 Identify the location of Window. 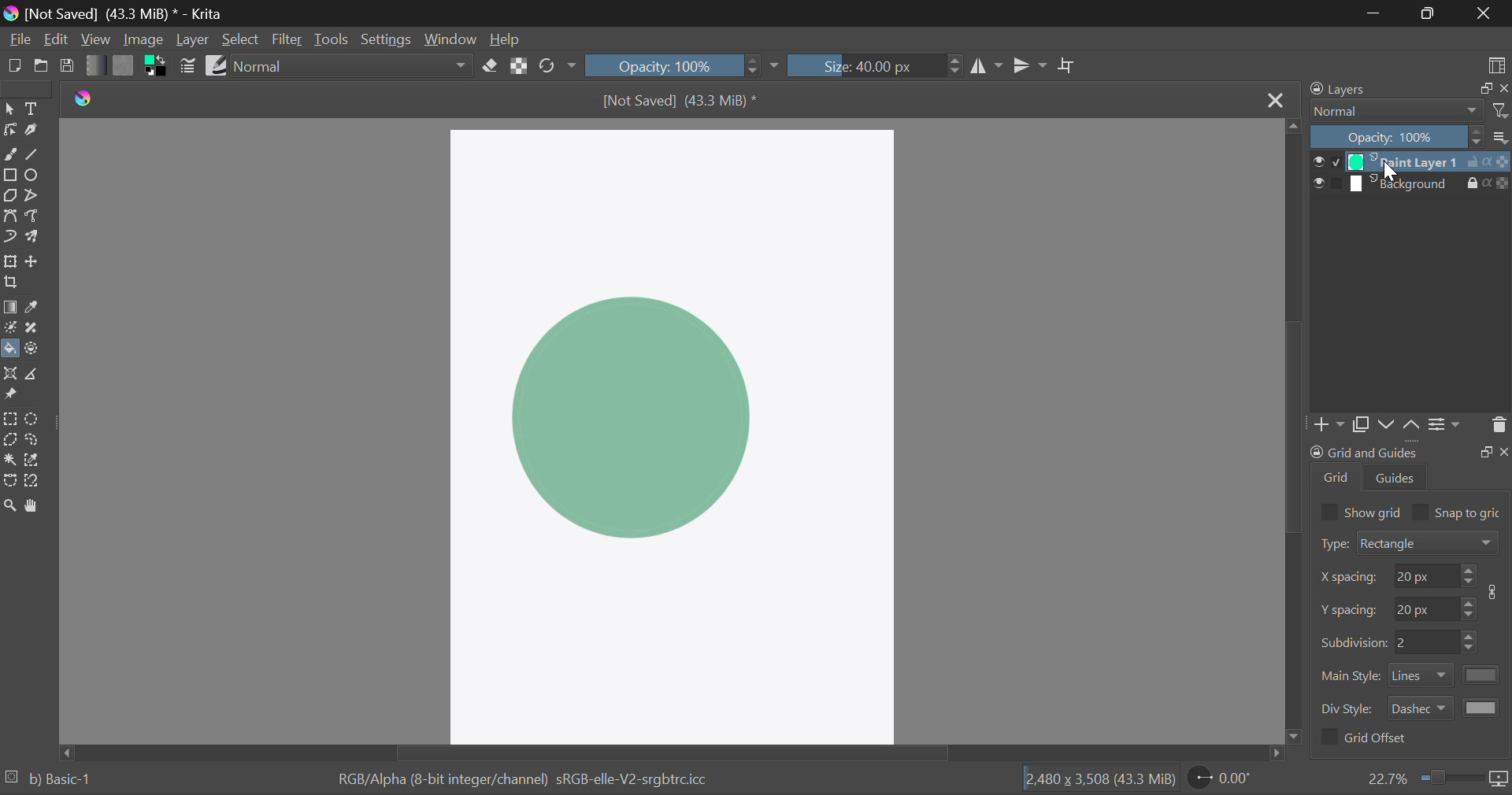
(450, 41).